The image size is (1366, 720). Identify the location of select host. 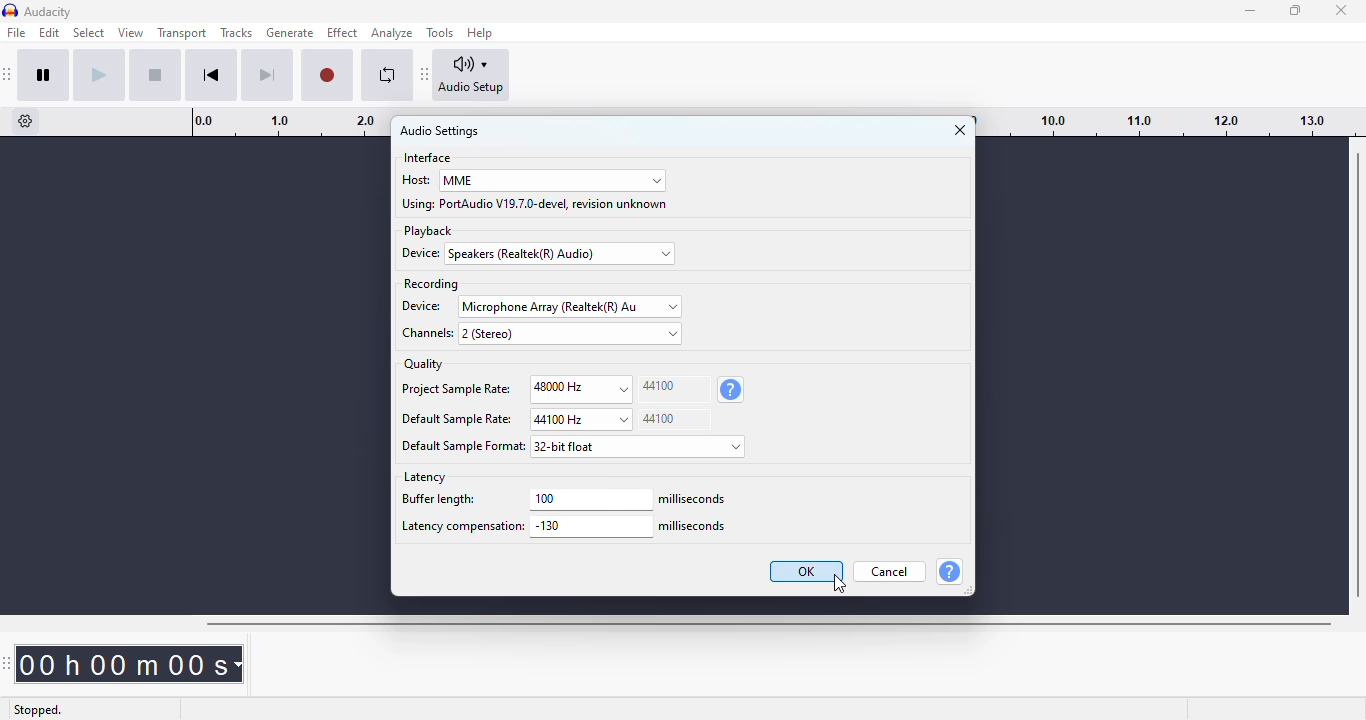
(552, 181).